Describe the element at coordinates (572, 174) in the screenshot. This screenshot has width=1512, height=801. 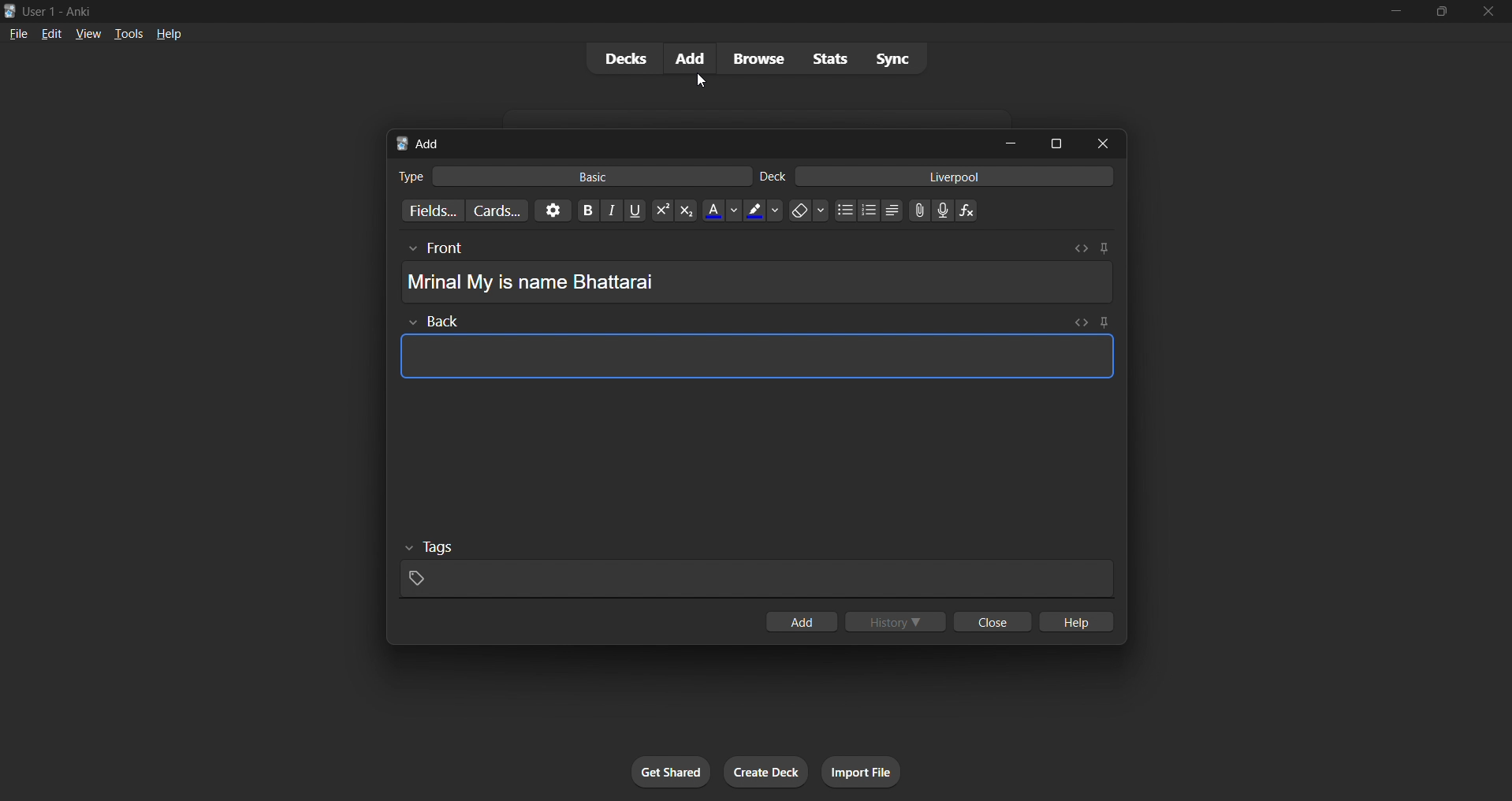
I see `basic card type input field` at that location.